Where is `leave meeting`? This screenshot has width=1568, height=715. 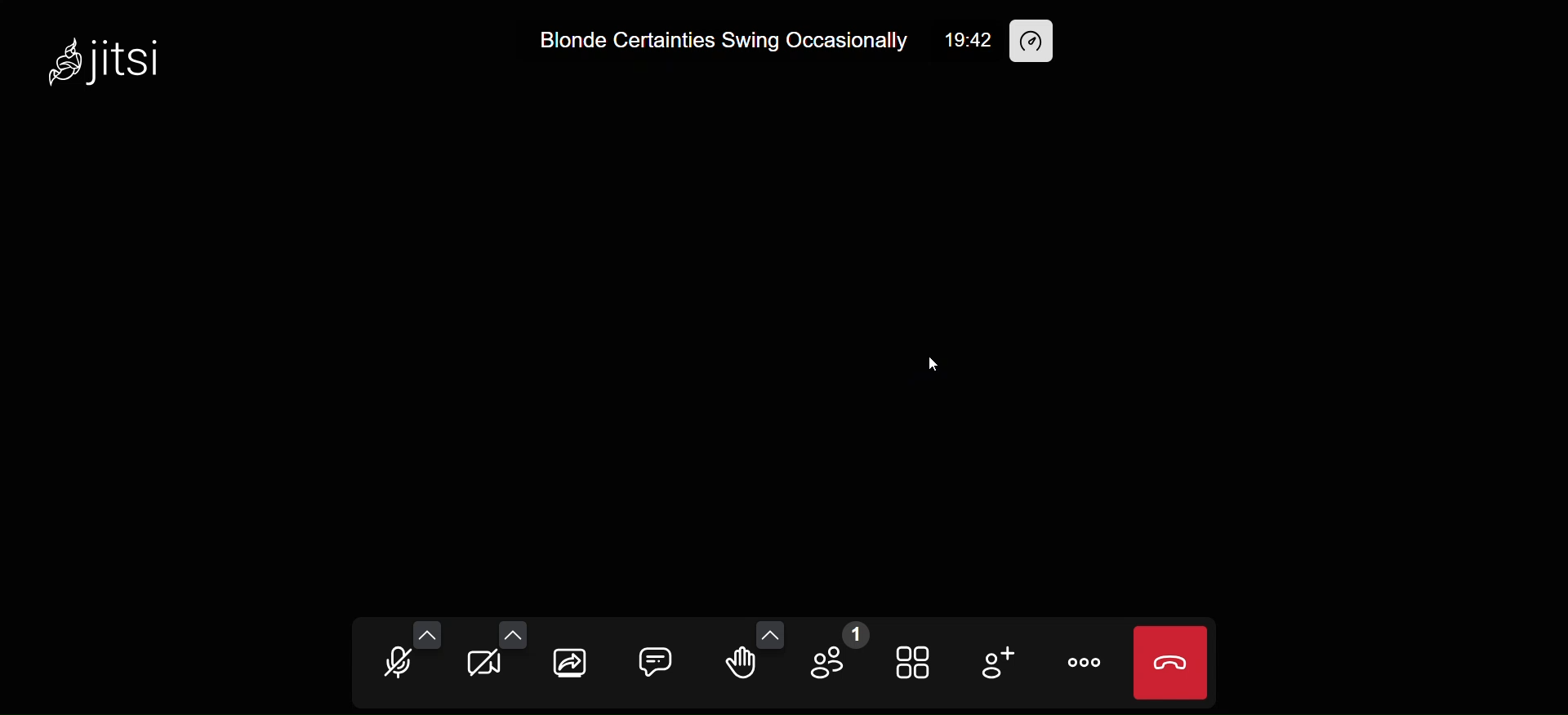
leave meeting is located at coordinates (1171, 663).